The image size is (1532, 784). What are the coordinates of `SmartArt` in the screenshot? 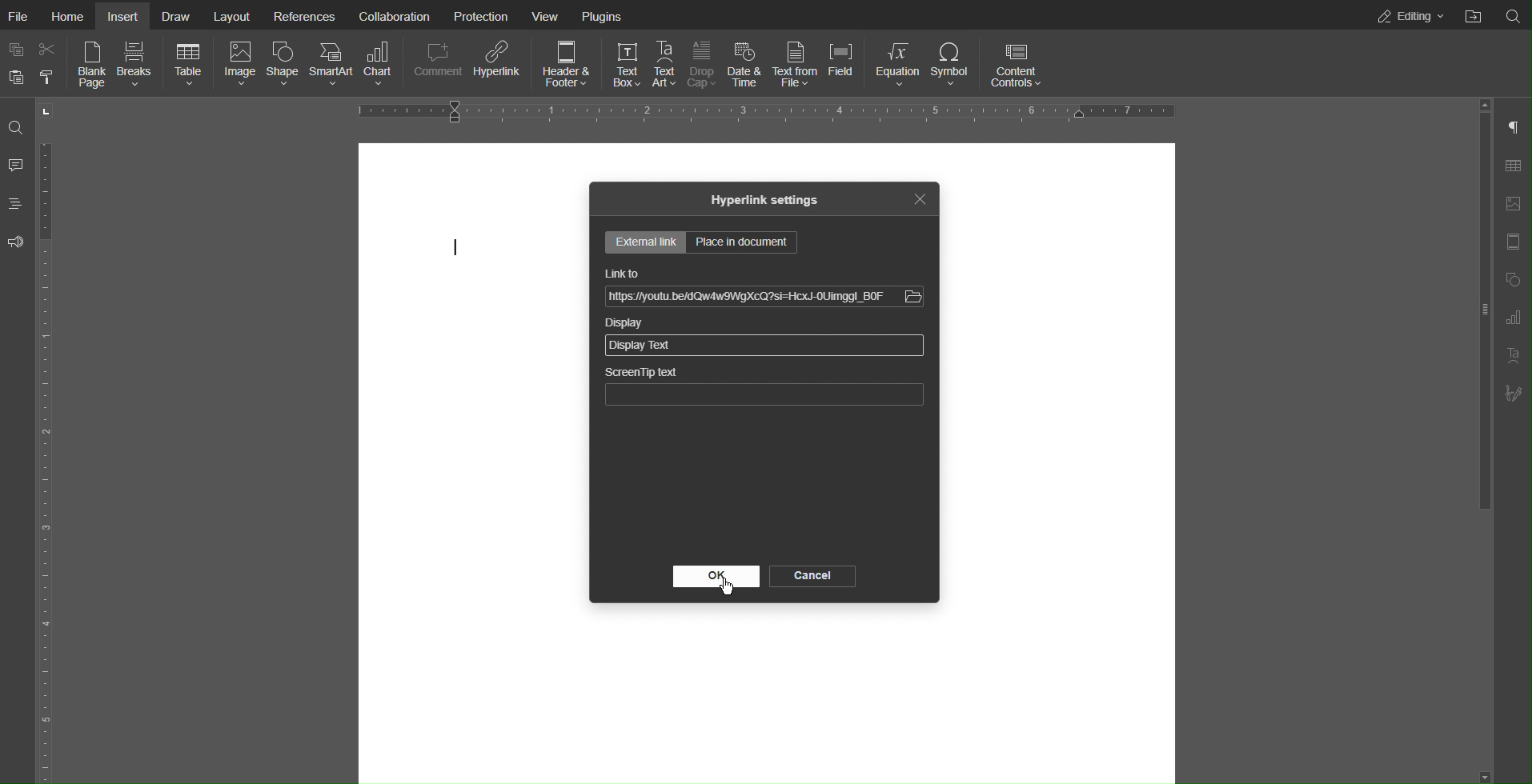 It's located at (332, 65).